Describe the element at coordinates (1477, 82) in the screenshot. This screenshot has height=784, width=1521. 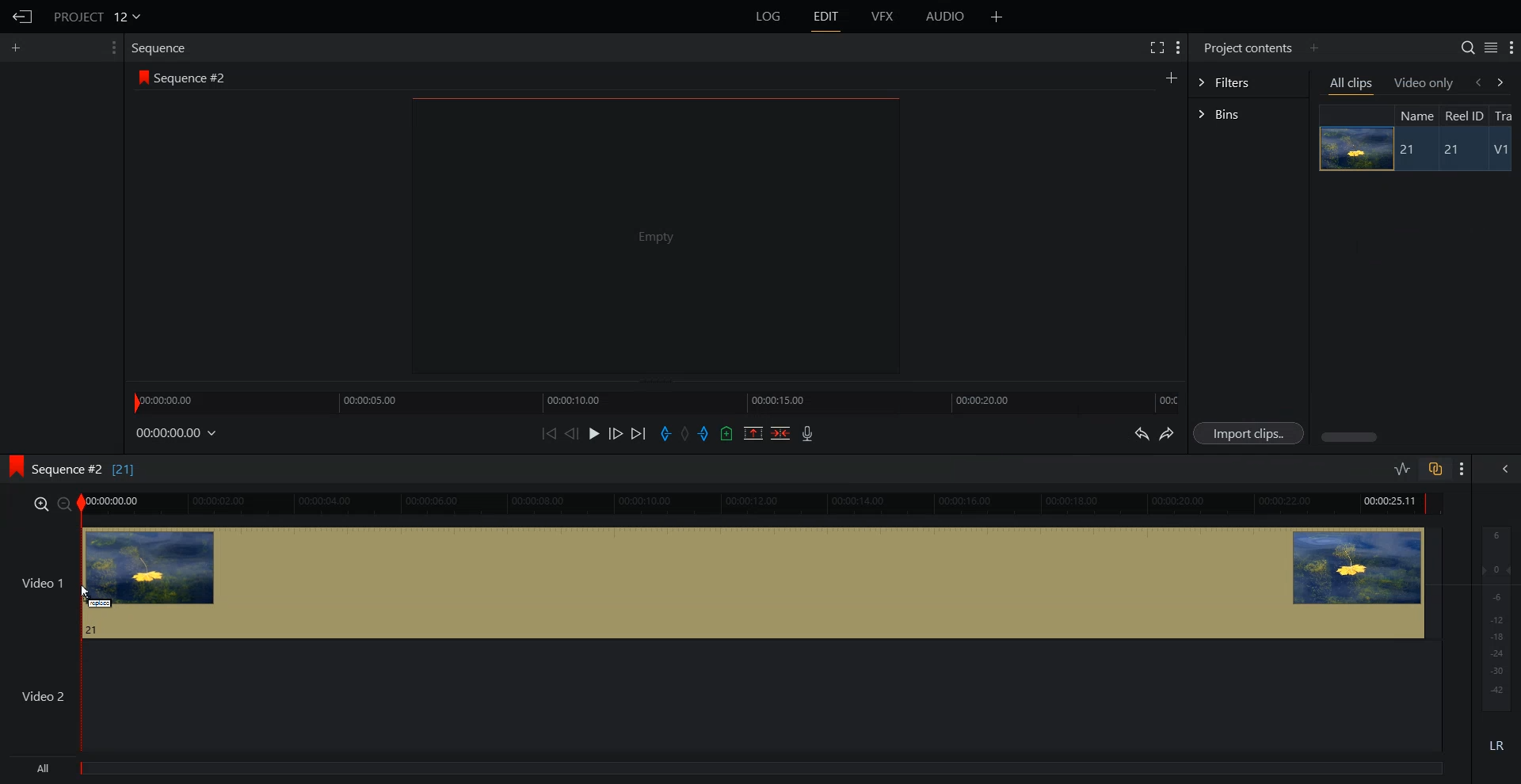
I see `backward` at that location.